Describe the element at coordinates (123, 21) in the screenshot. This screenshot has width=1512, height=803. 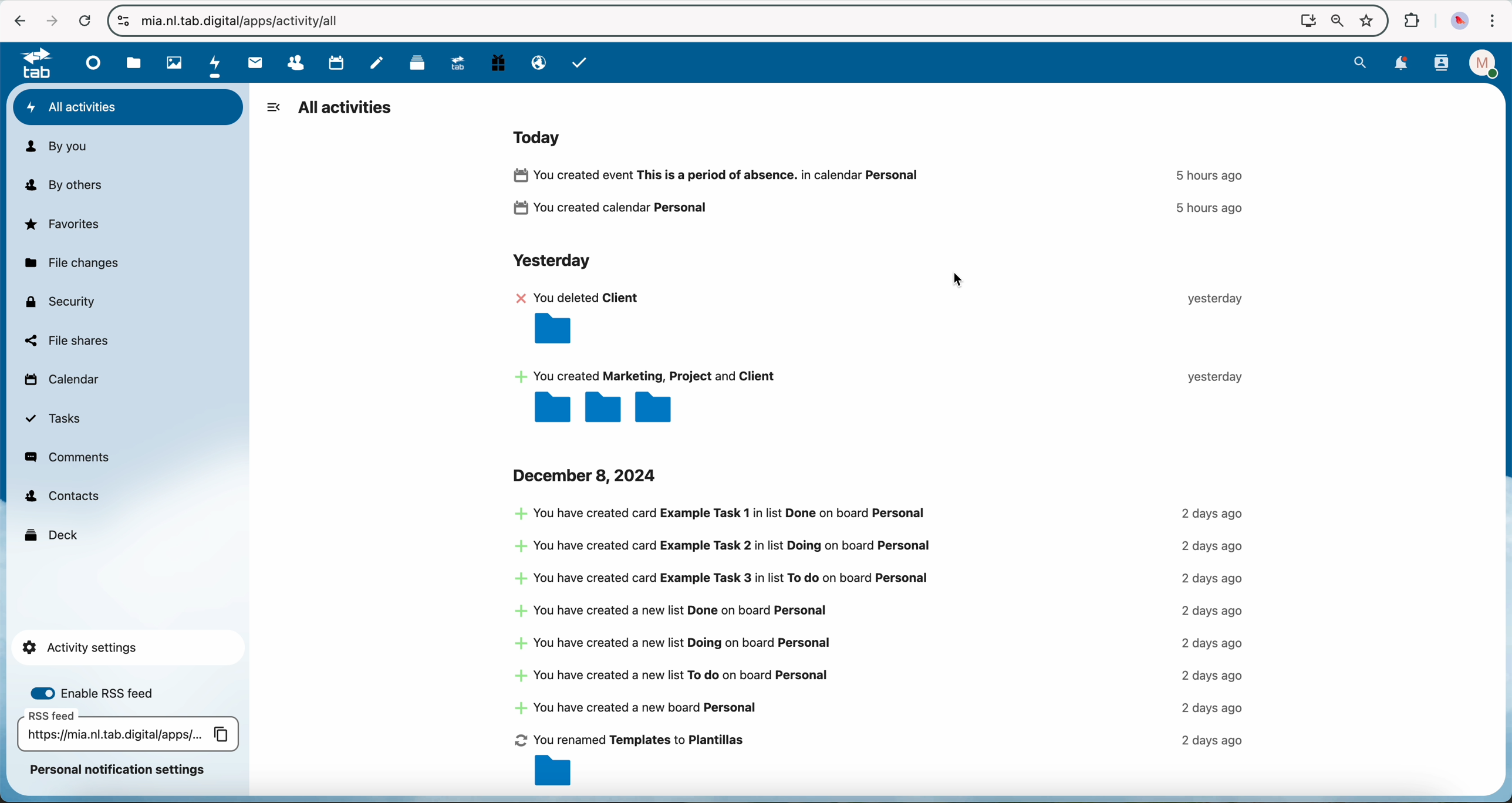
I see `controls` at that location.